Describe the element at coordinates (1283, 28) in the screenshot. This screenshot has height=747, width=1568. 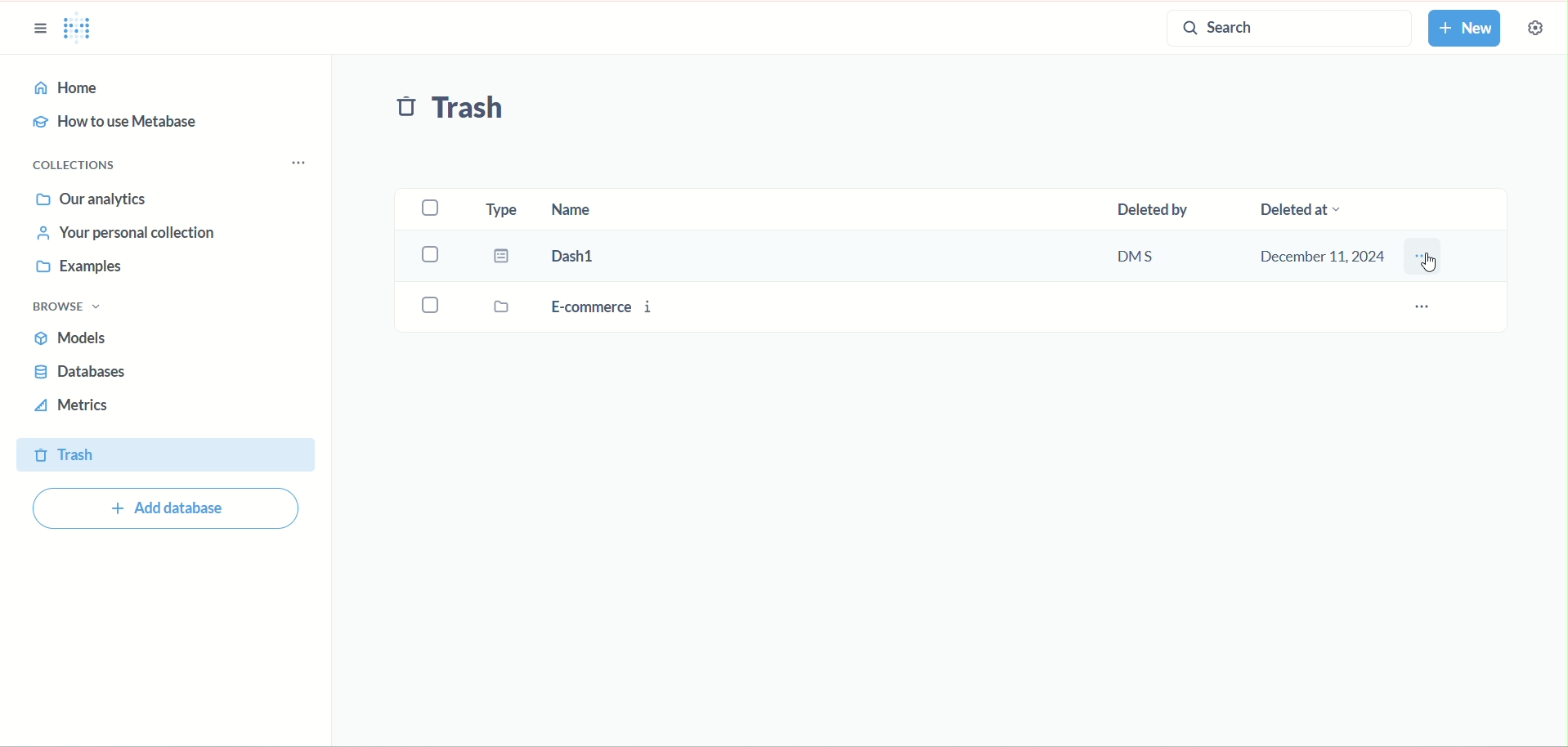
I see `search` at that location.